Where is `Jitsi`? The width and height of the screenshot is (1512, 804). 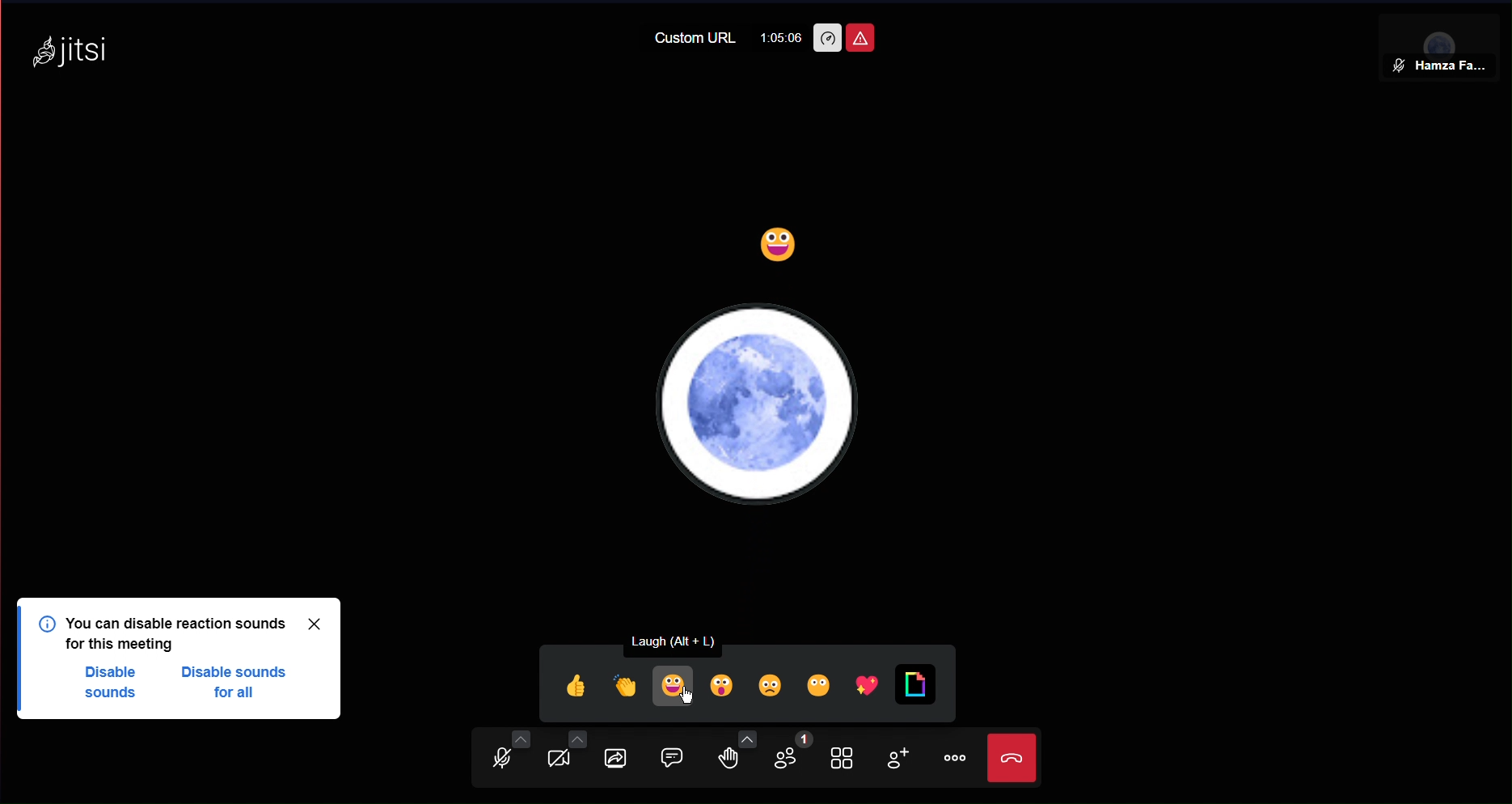 Jitsi is located at coordinates (76, 48).